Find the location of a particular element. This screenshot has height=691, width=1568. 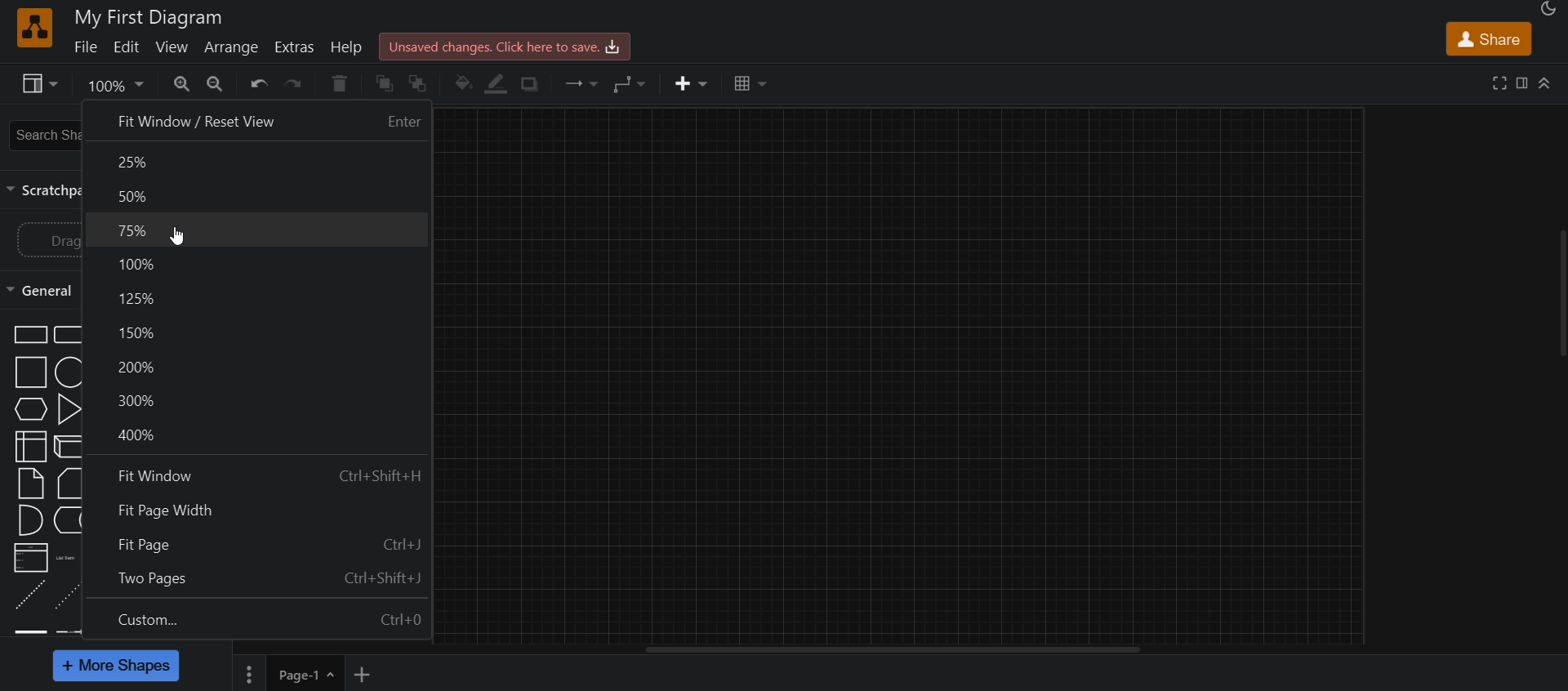

to back is located at coordinates (421, 84).